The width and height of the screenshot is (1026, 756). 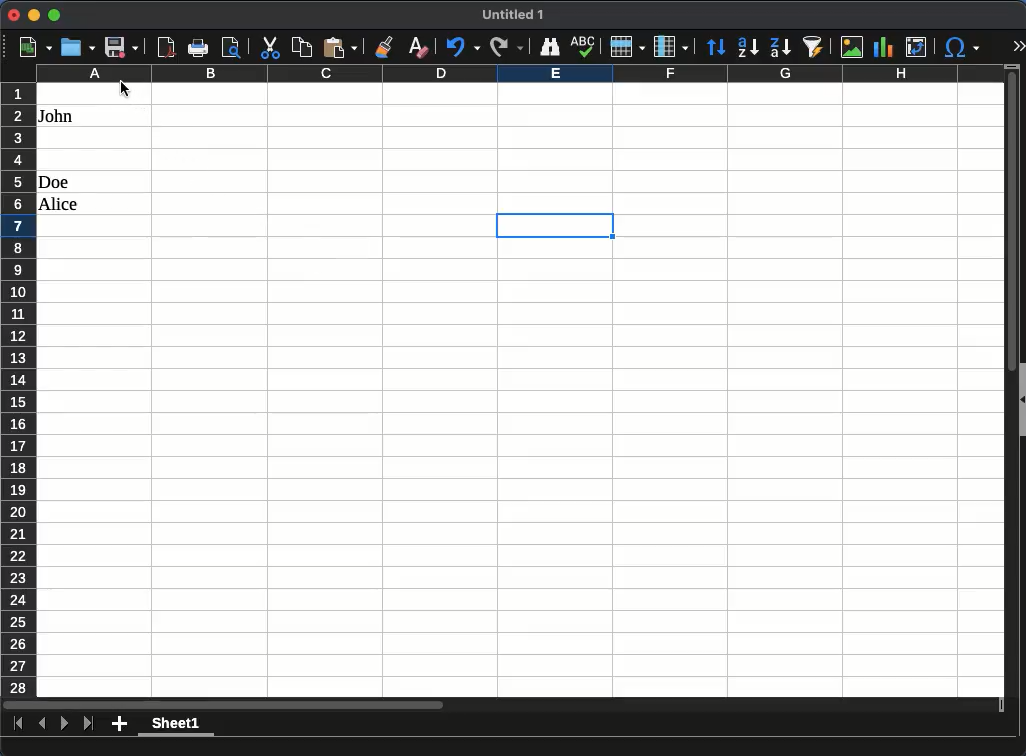 What do you see at coordinates (269, 47) in the screenshot?
I see `cut` at bounding box center [269, 47].